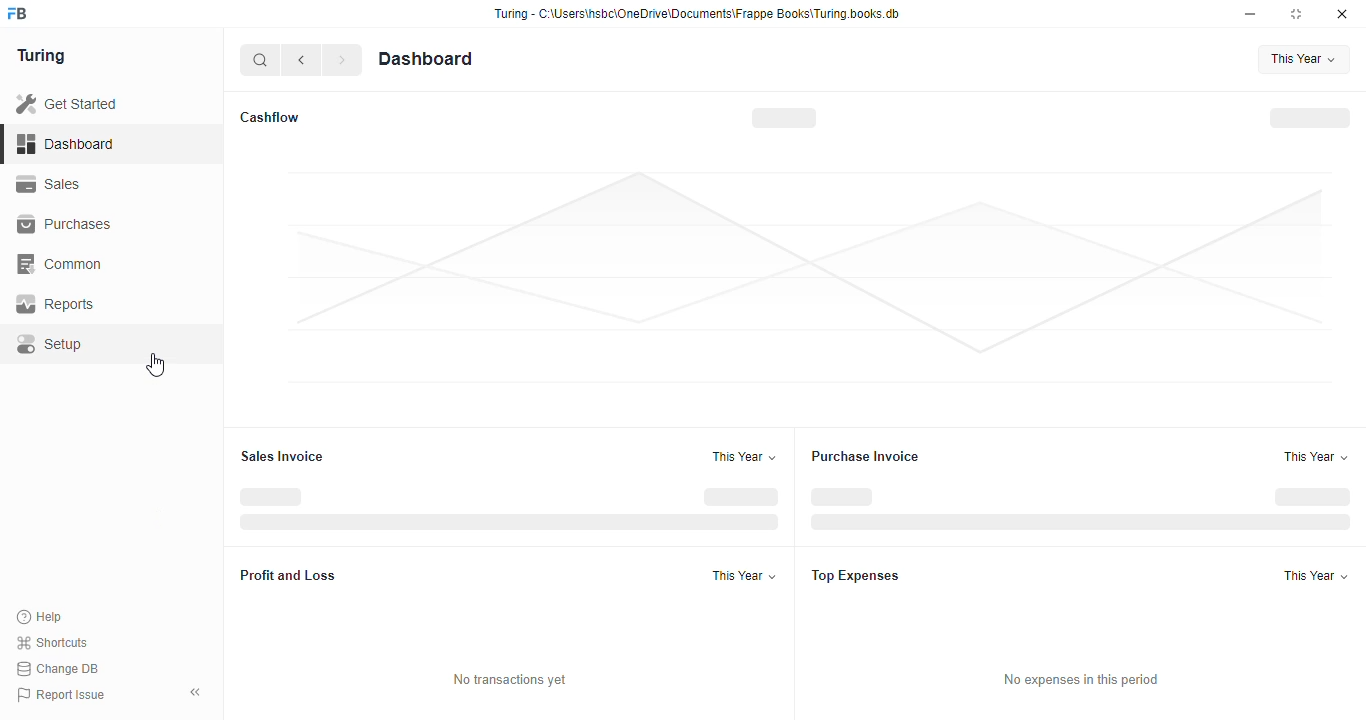  Describe the element at coordinates (196, 692) in the screenshot. I see `toggle sidebar` at that location.